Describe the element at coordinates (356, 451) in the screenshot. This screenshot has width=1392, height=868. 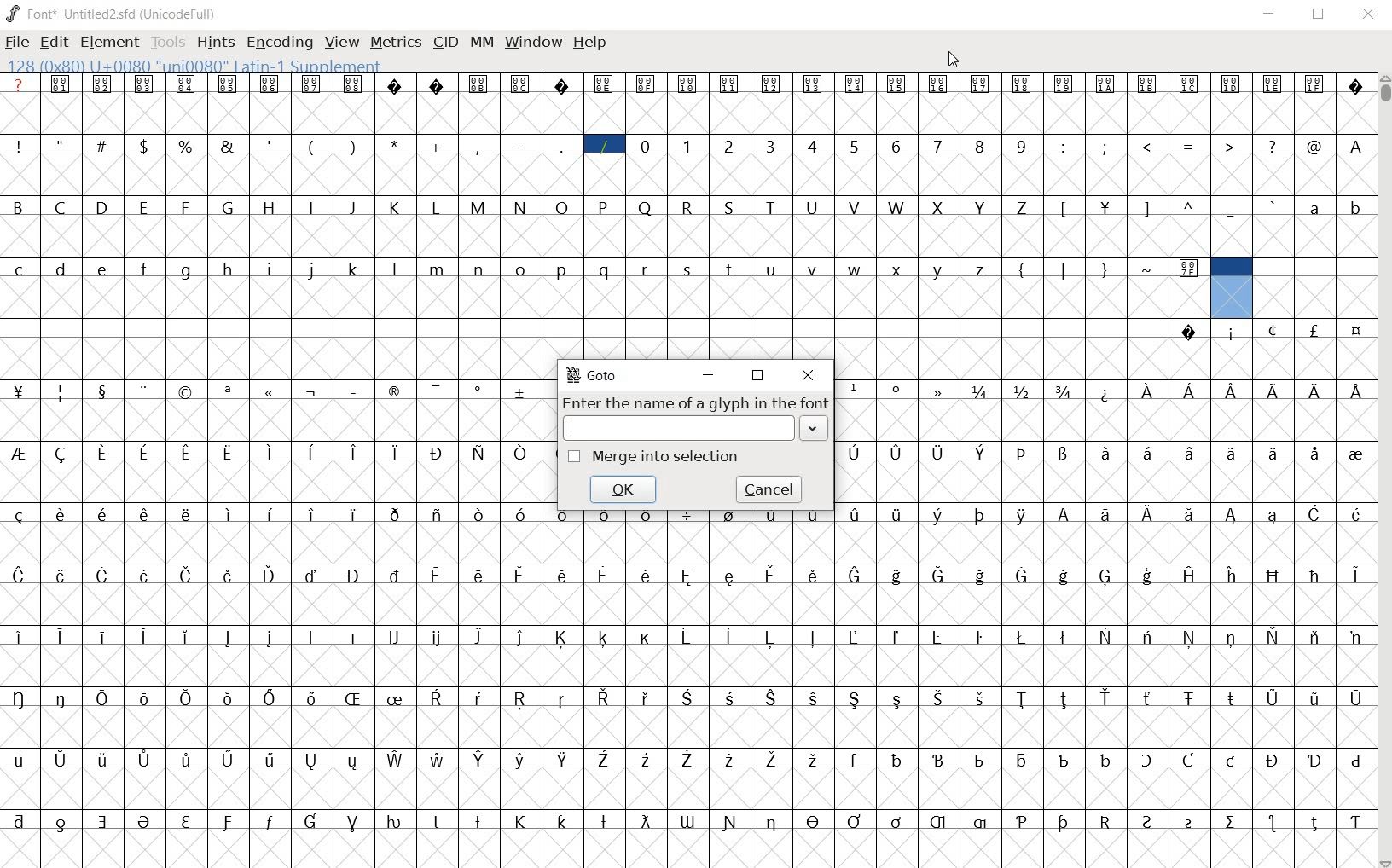
I see `Symbol` at that location.